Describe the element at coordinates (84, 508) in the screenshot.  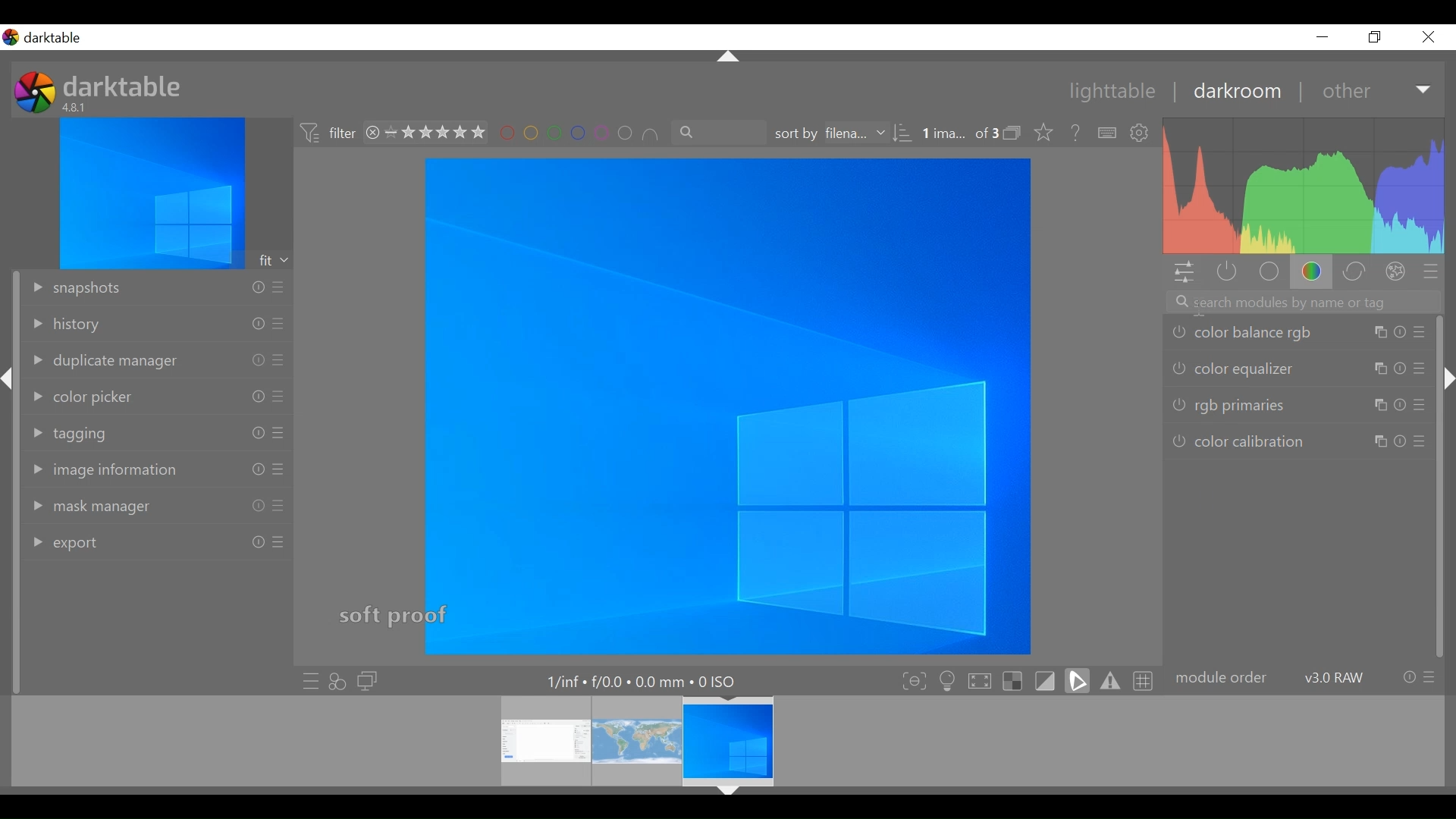
I see `mask manager` at that location.